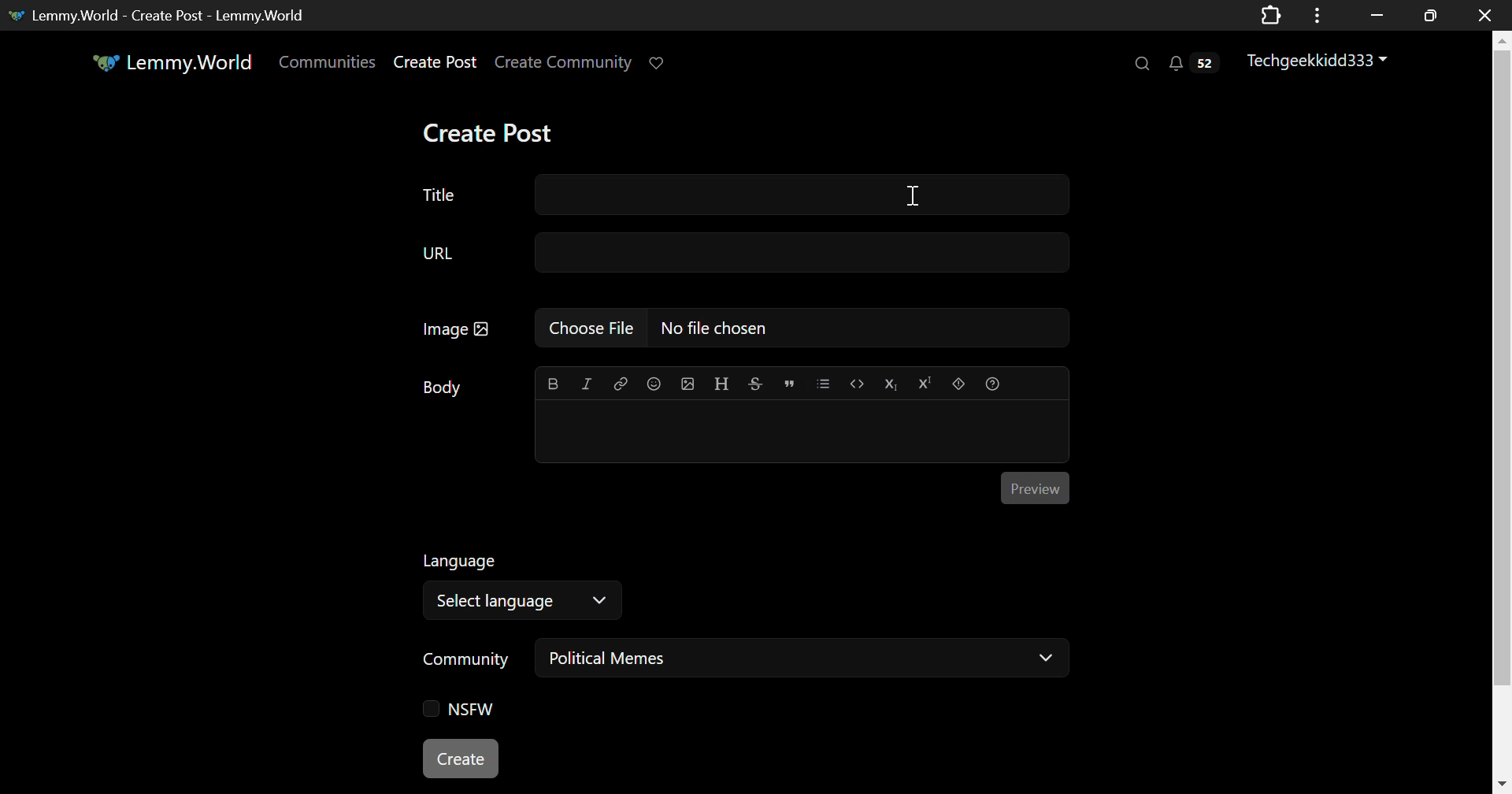 This screenshot has height=794, width=1512. What do you see at coordinates (1487, 14) in the screenshot?
I see `Close window` at bounding box center [1487, 14].